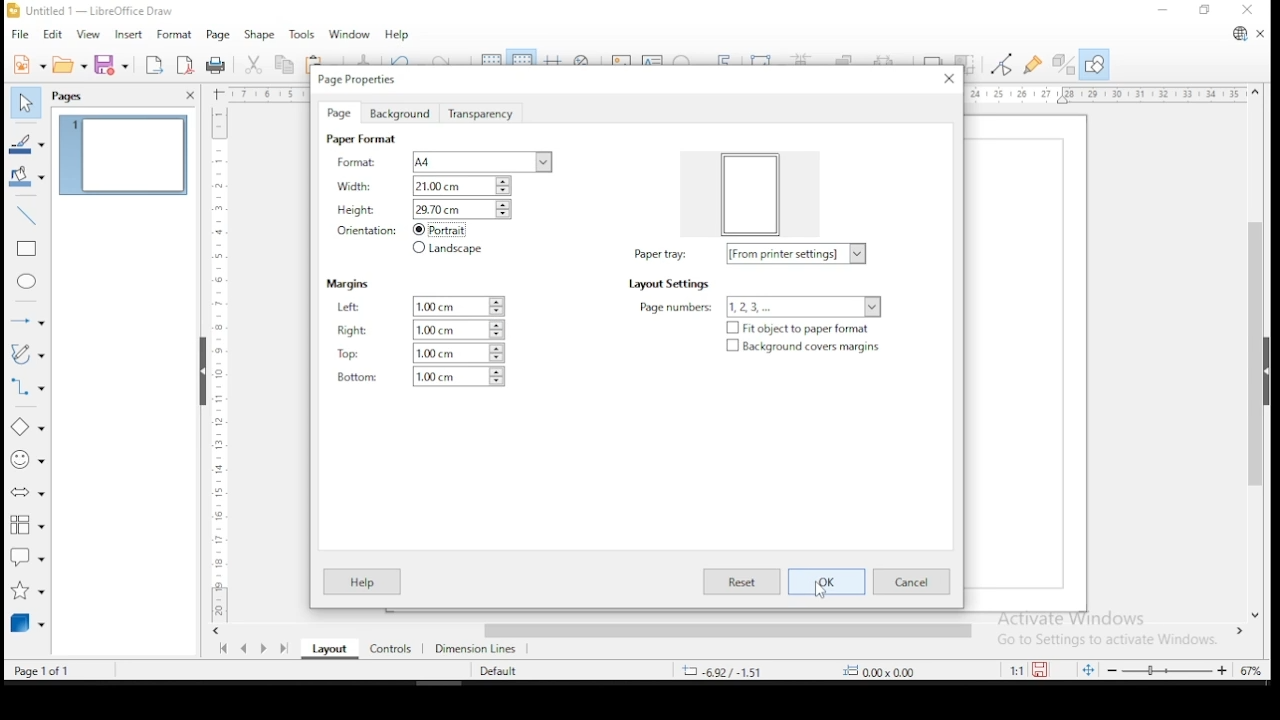 This screenshot has width=1280, height=720. What do you see at coordinates (303, 33) in the screenshot?
I see `tools` at bounding box center [303, 33].